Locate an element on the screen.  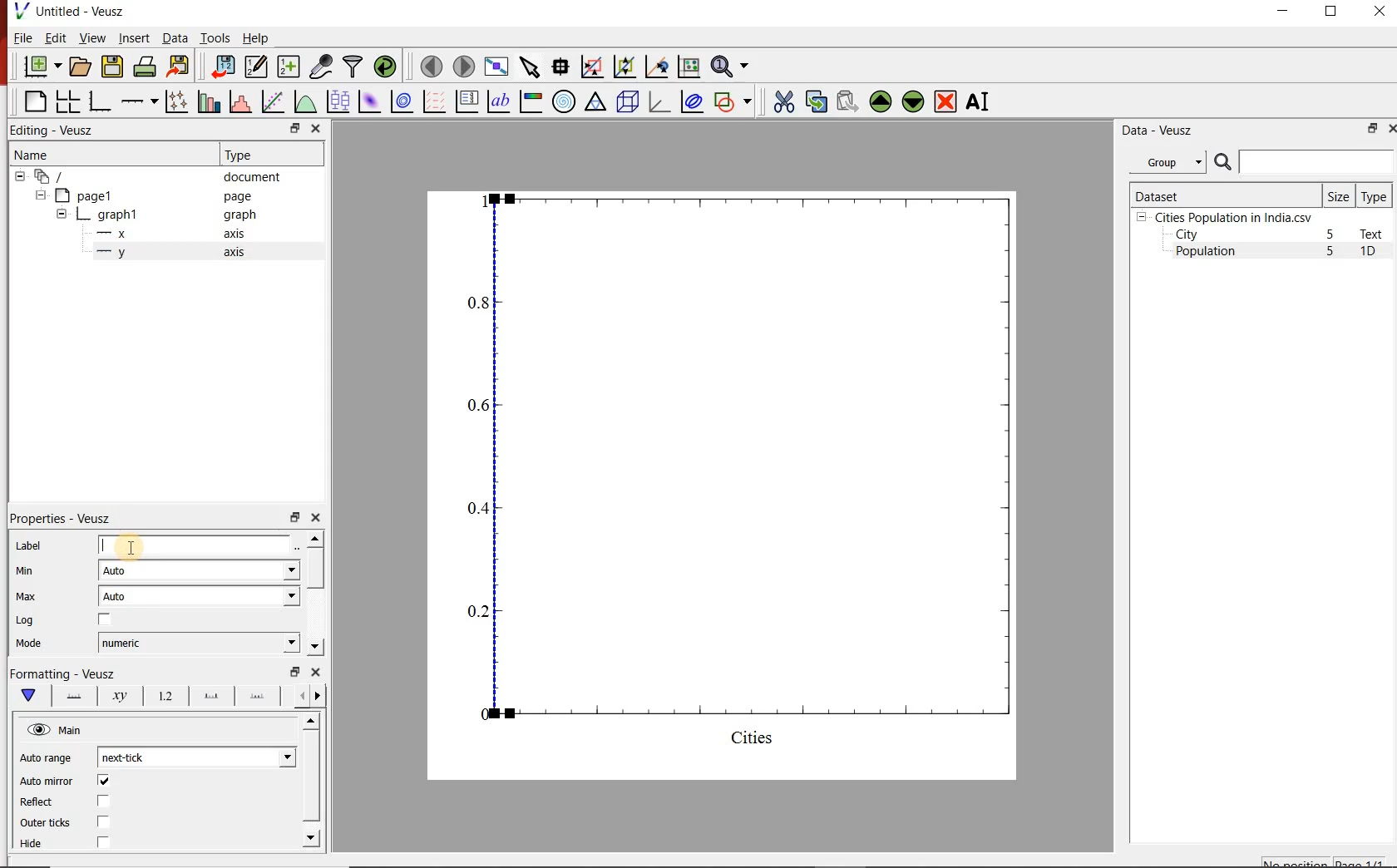
document is located at coordinates (153, 175).